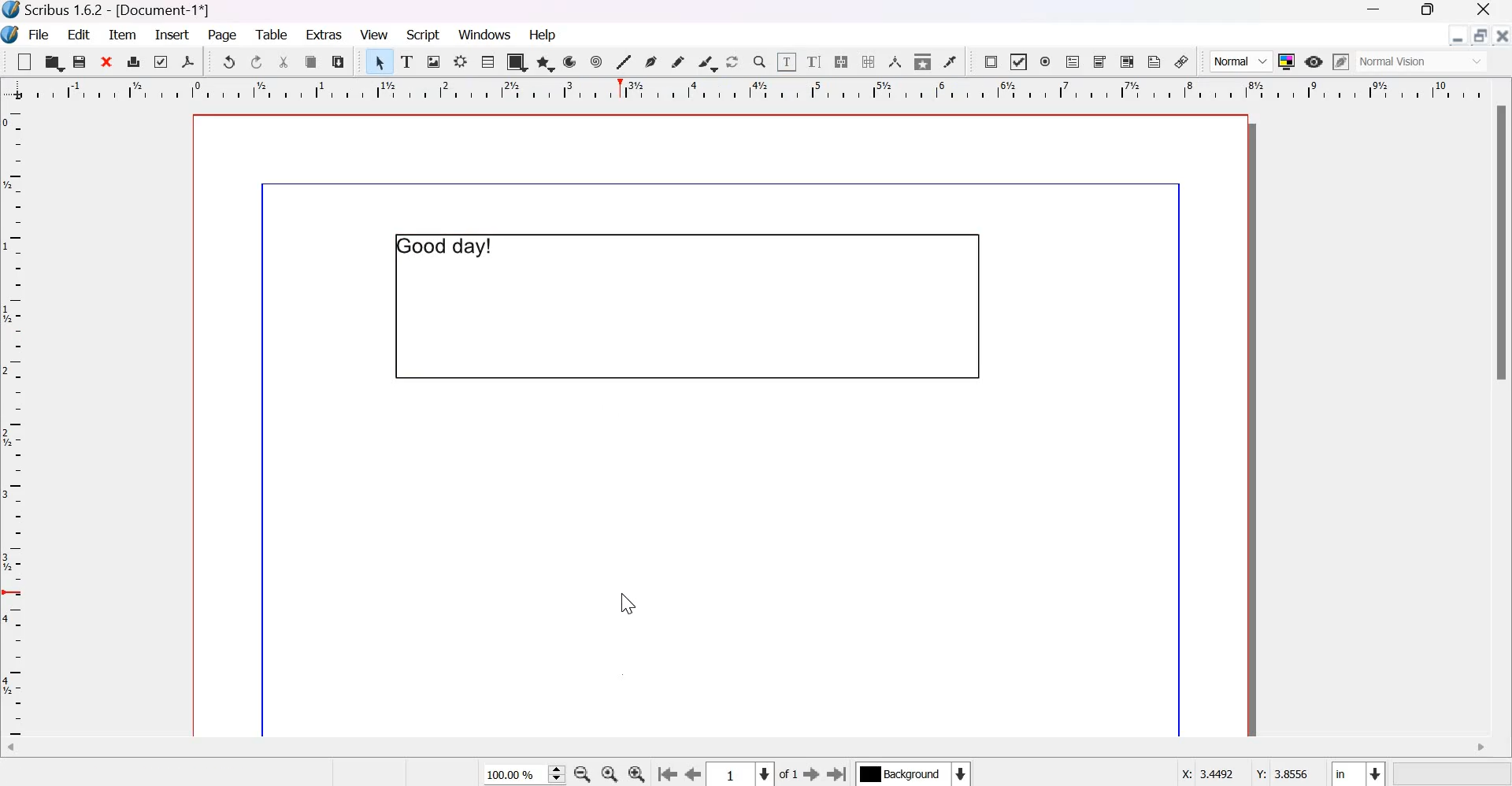  What do you see at coordinates (598, 61) in the screenshot?
I see `spiral` at bounding box center [598, 61].